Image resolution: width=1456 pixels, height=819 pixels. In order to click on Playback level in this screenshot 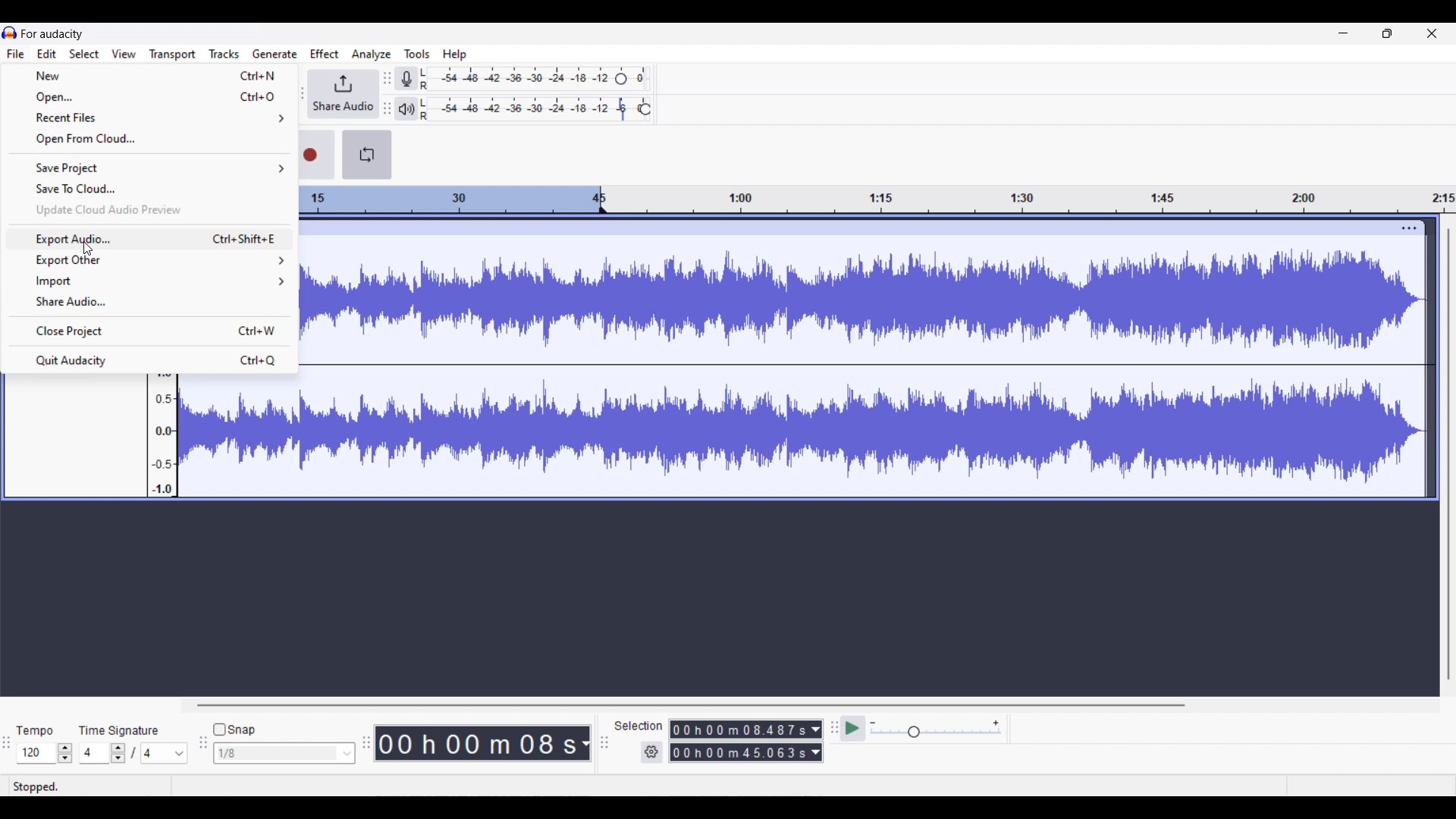, I will do `click(526, 109)`.